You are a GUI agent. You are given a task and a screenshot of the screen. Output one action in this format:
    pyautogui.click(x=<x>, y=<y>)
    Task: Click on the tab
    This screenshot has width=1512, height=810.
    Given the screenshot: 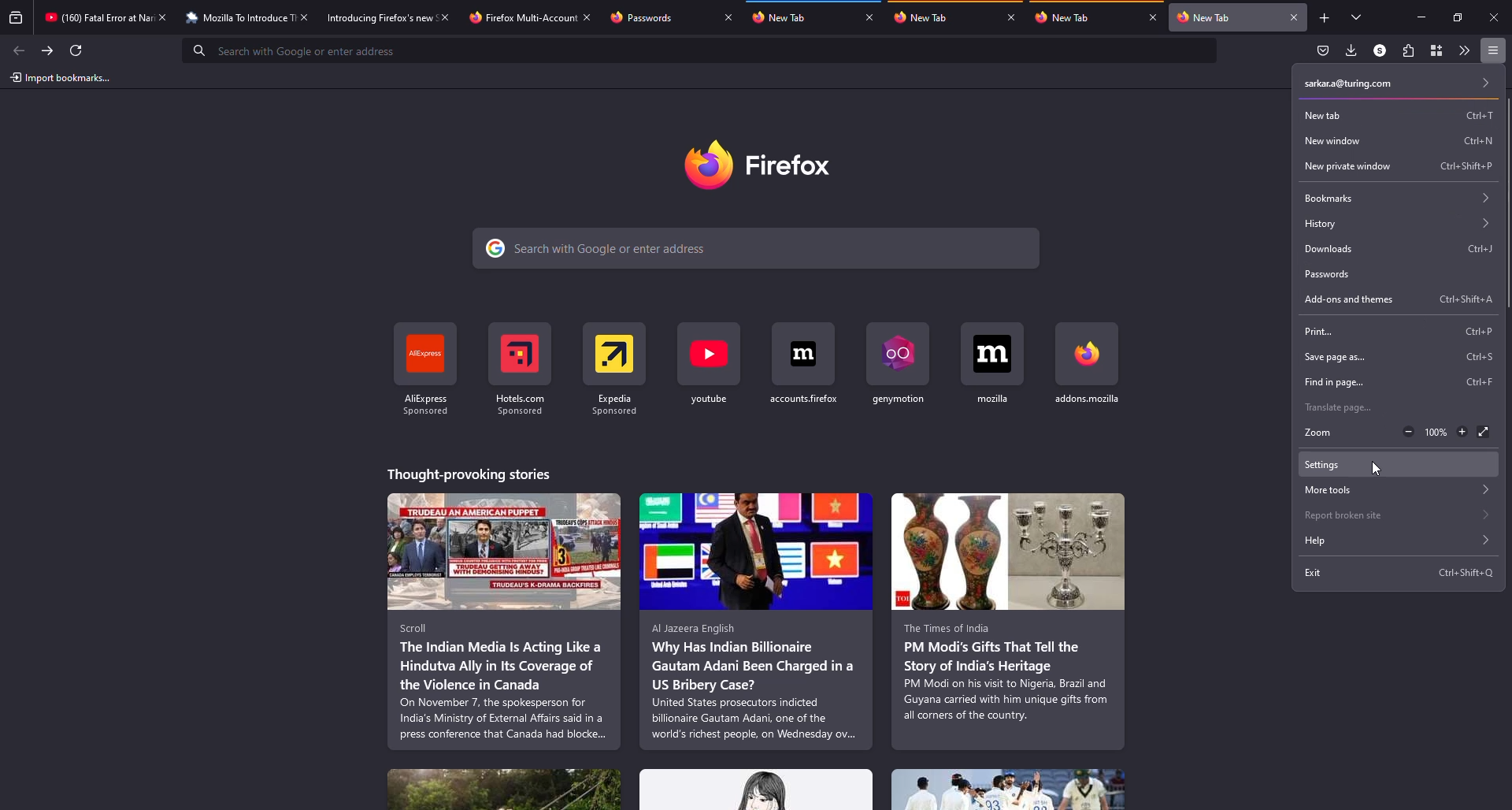 What is the action you would take?
    pyautogui.click(x=1206, y=17)
    